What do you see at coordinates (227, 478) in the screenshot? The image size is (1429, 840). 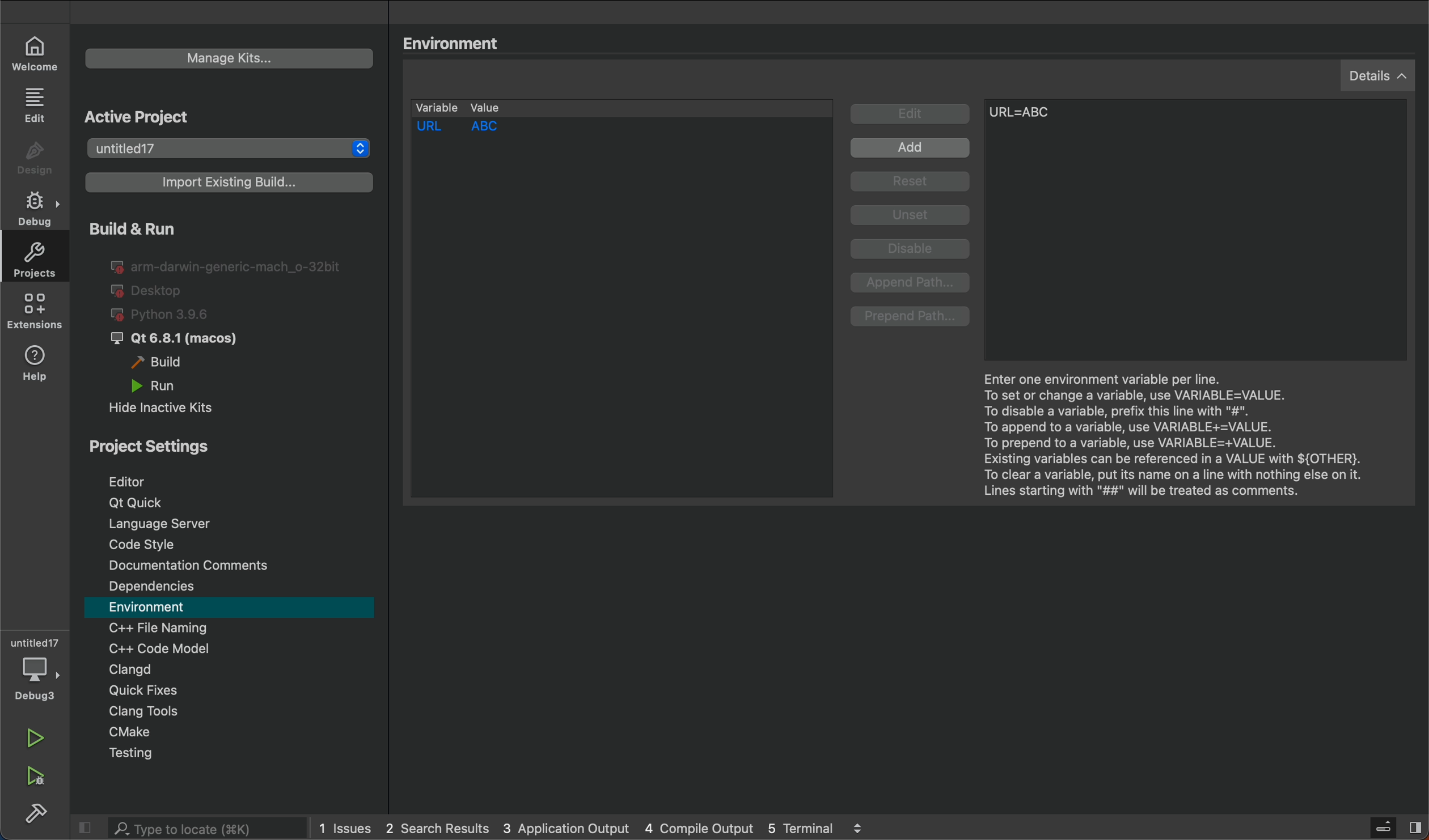 I see `editor` at bounding box center [227, 478].